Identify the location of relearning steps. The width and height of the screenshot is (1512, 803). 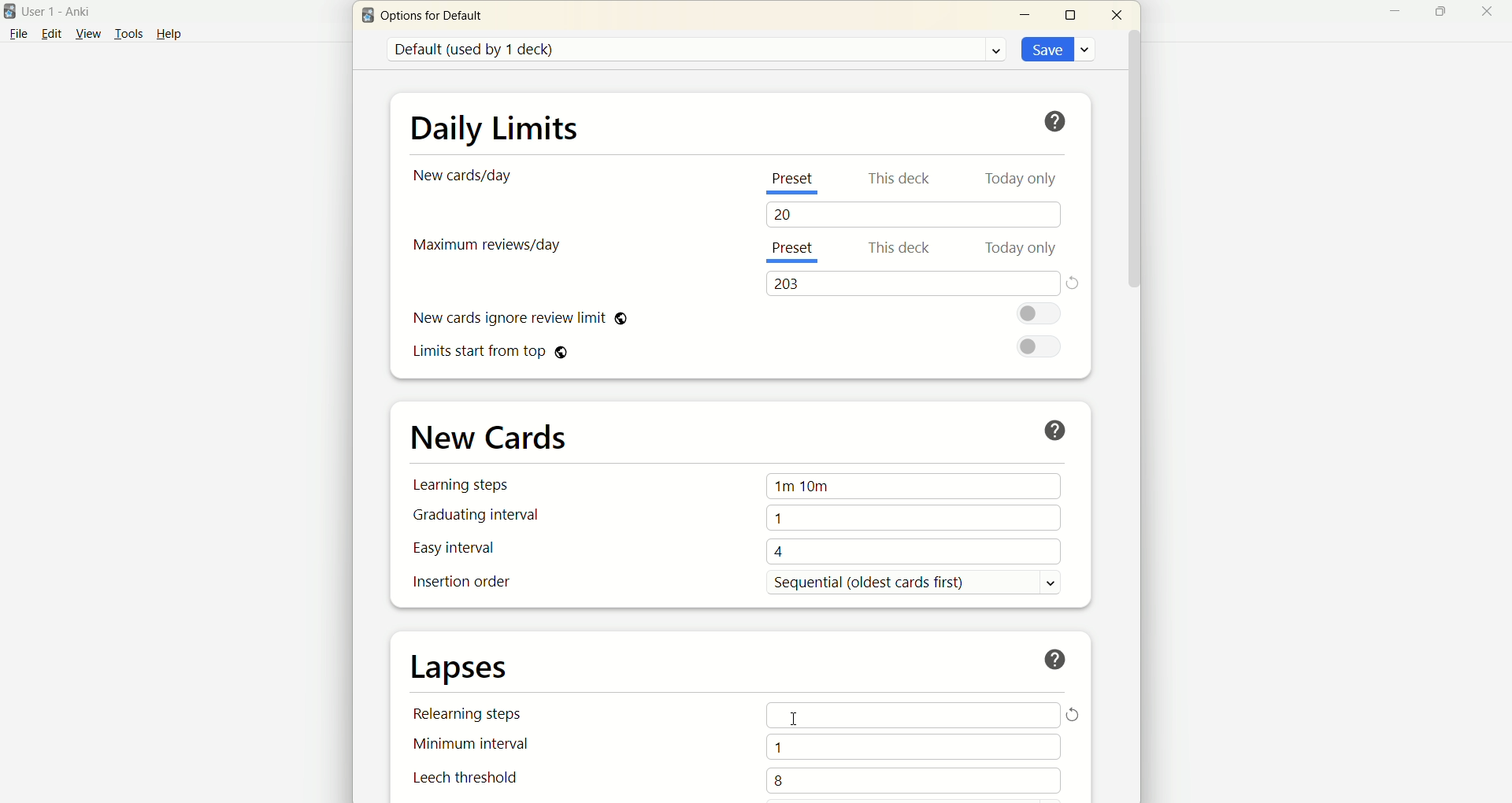
(473, 718).